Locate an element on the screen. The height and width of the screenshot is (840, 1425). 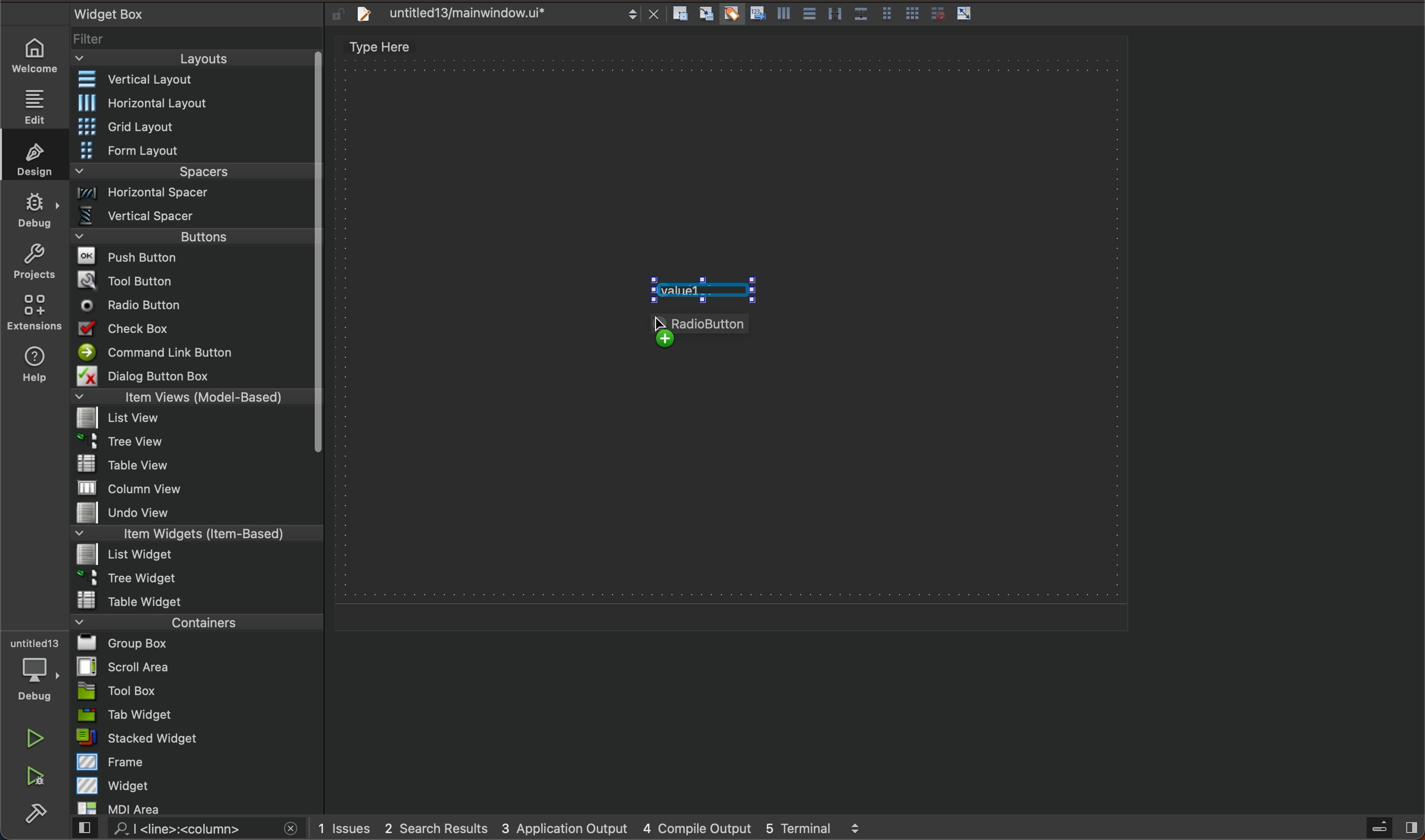
 is located at coordinates (782, 16).